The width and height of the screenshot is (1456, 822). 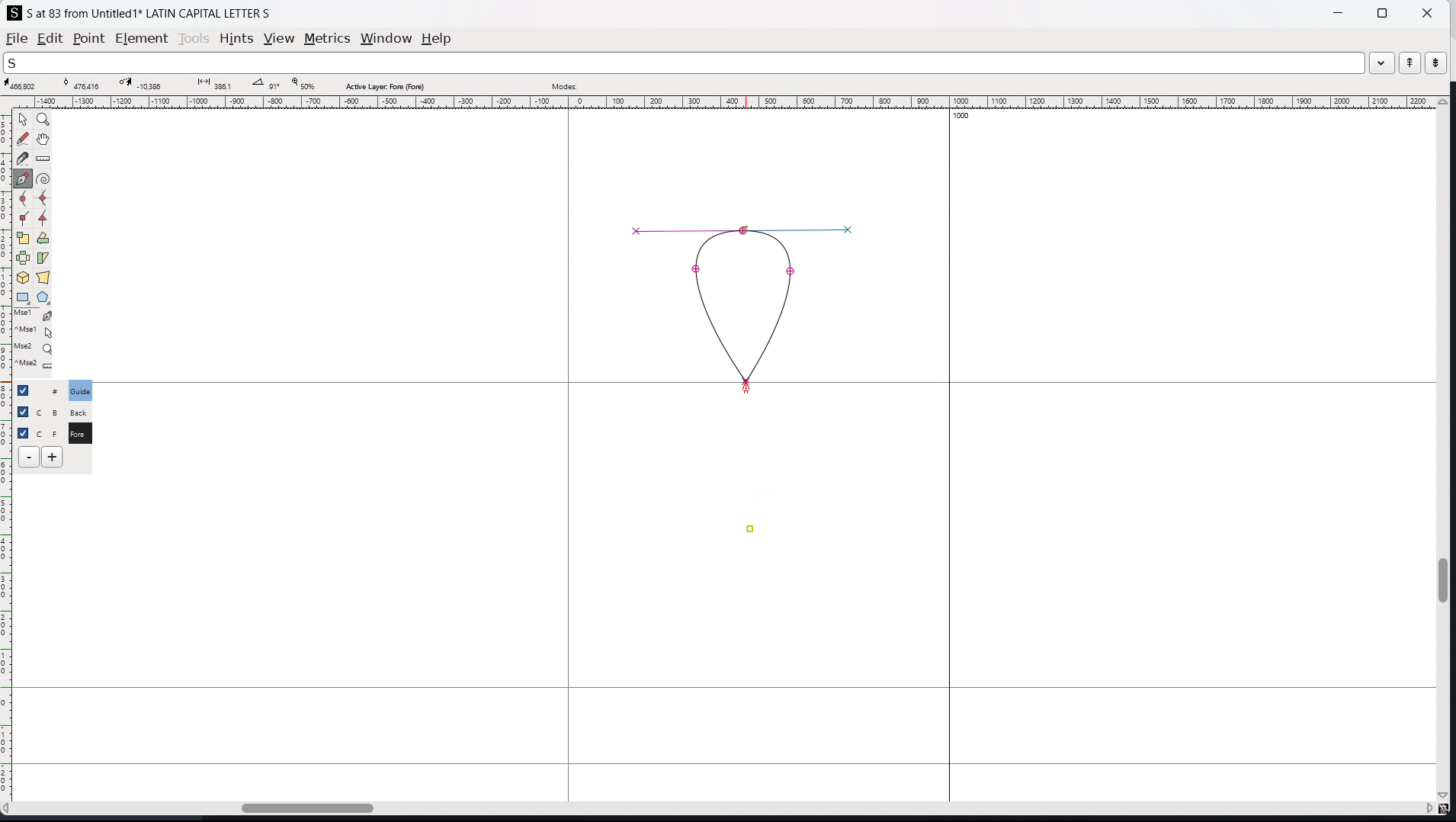 I want to click on delete layer, so click(x=29, y=458).